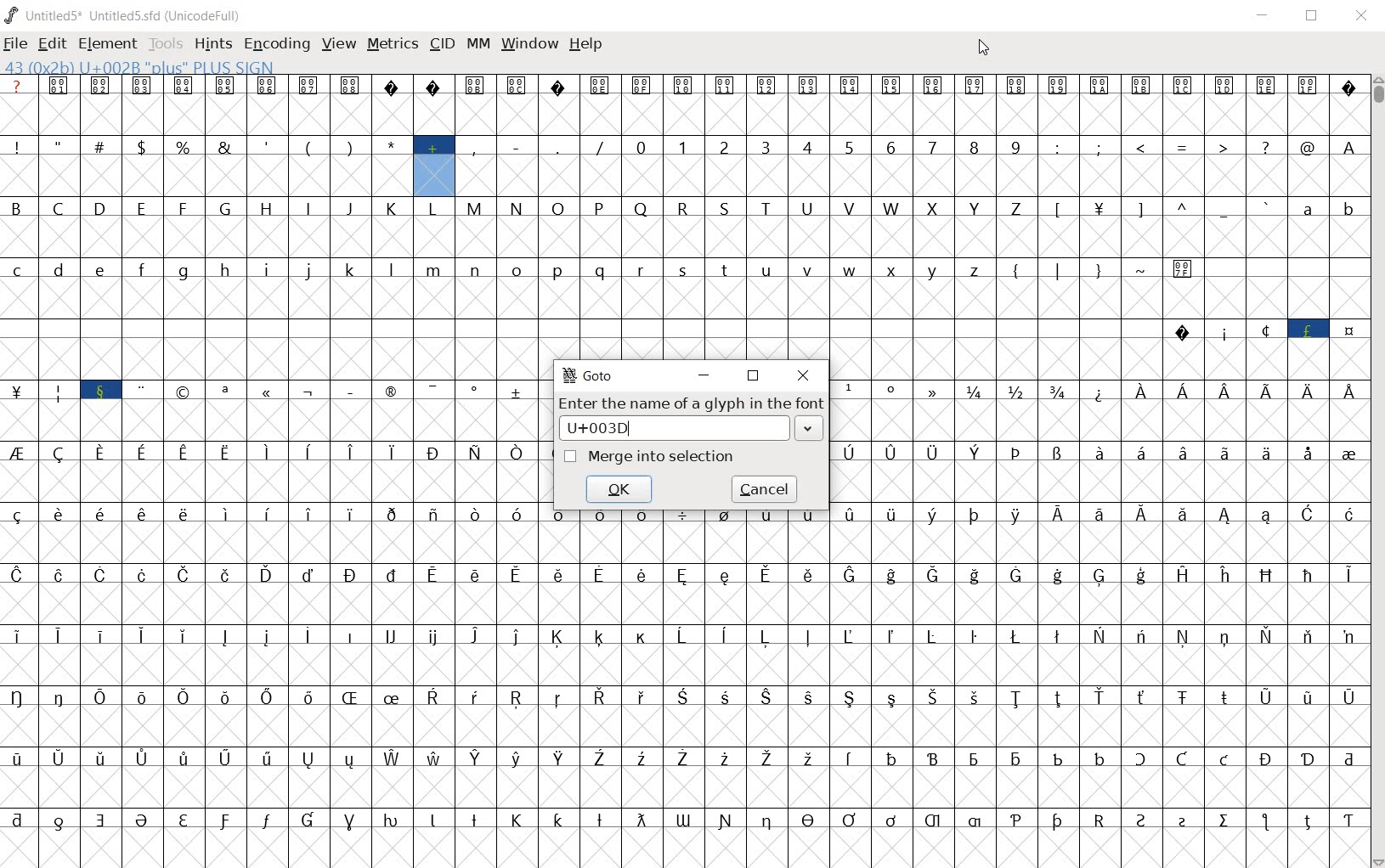 The image size is (1385, 868). What do you see at coordinates (1377, 471) in the screenshot?
I see `scrollbar` at bounding box center [1377, 471].